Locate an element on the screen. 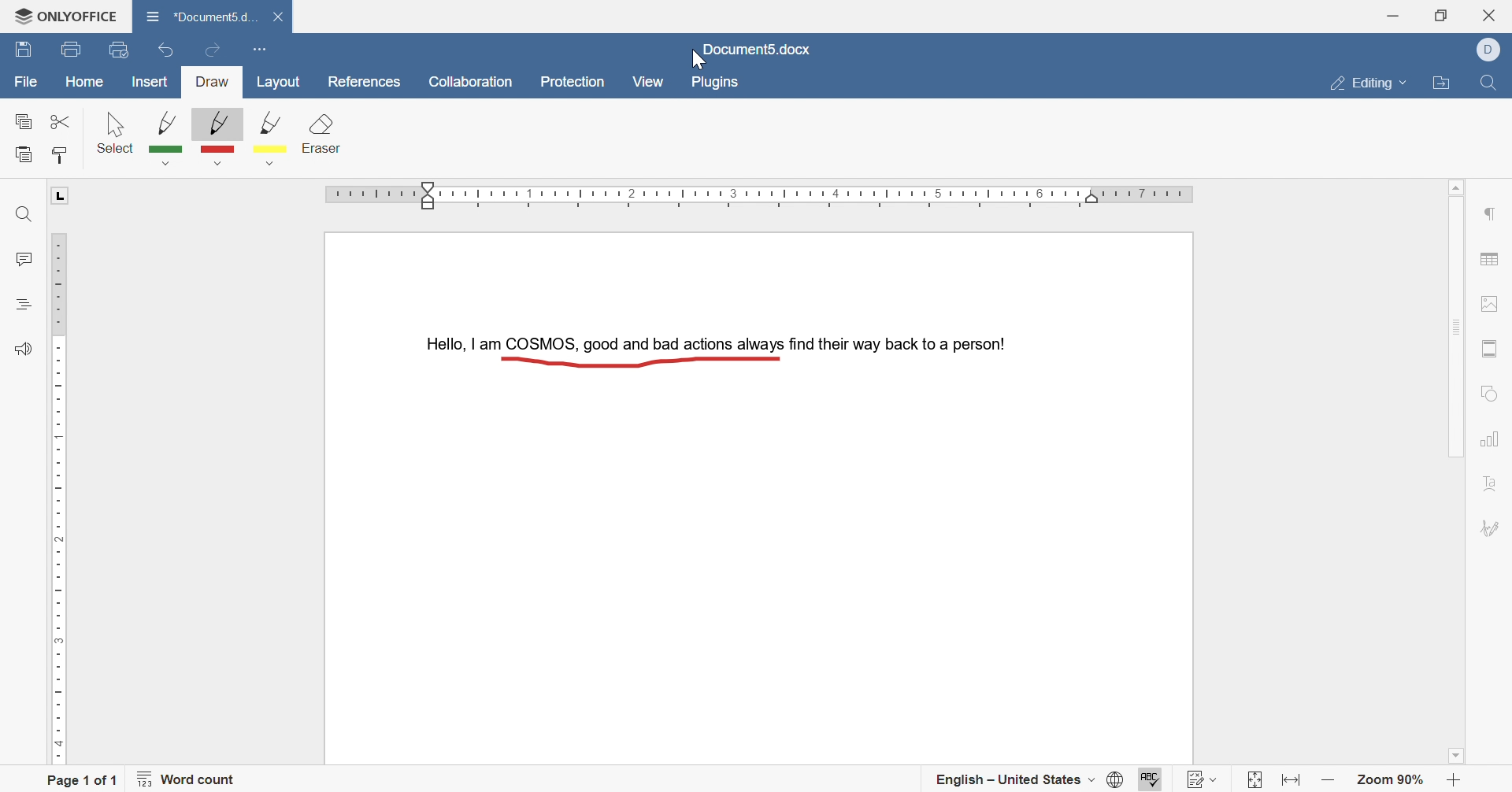  signature settings is located at coordinates (1493, 530).